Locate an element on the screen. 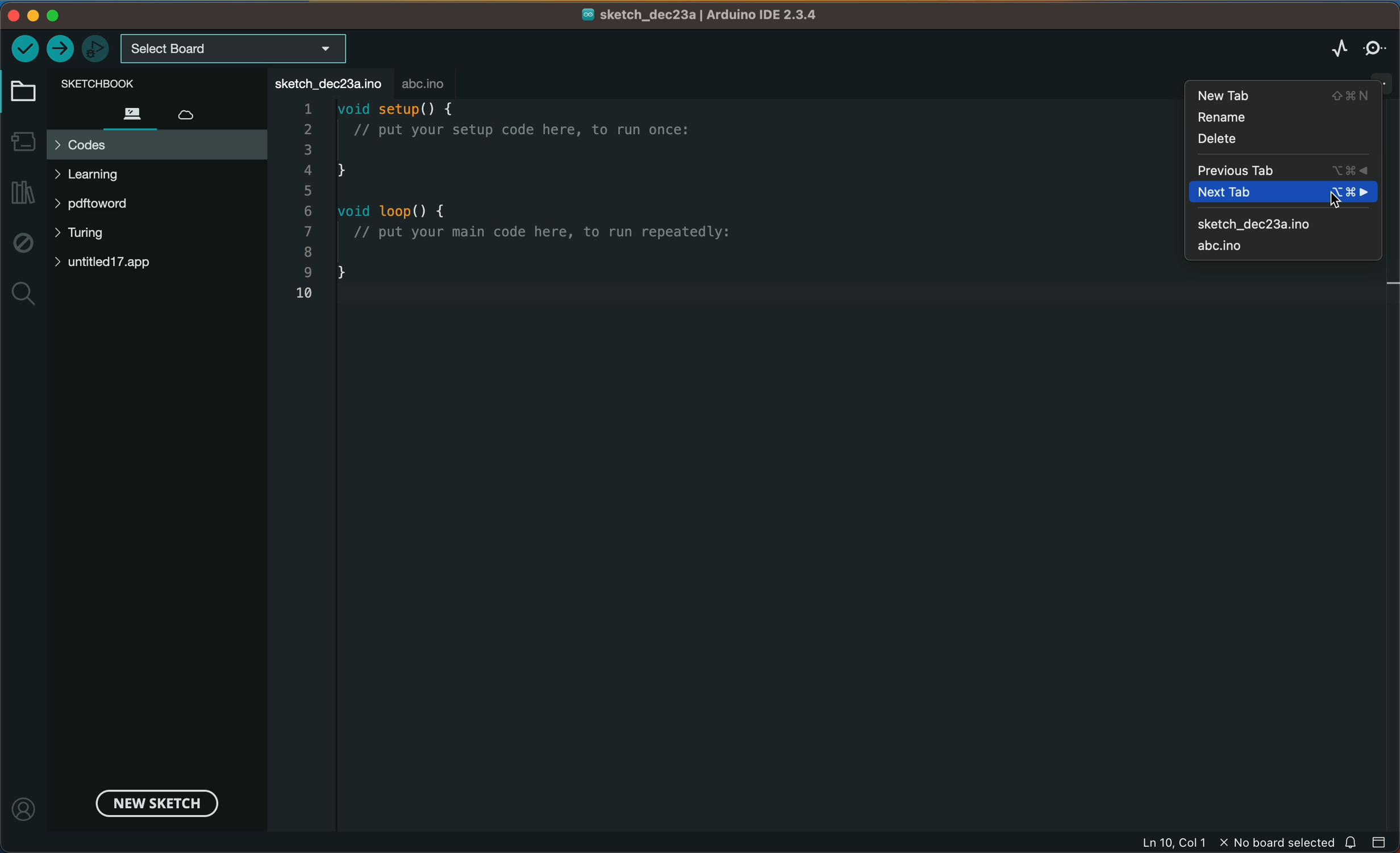 The width and height of the screenshot is (1400, 853). search is located at coordinates (24, 292).